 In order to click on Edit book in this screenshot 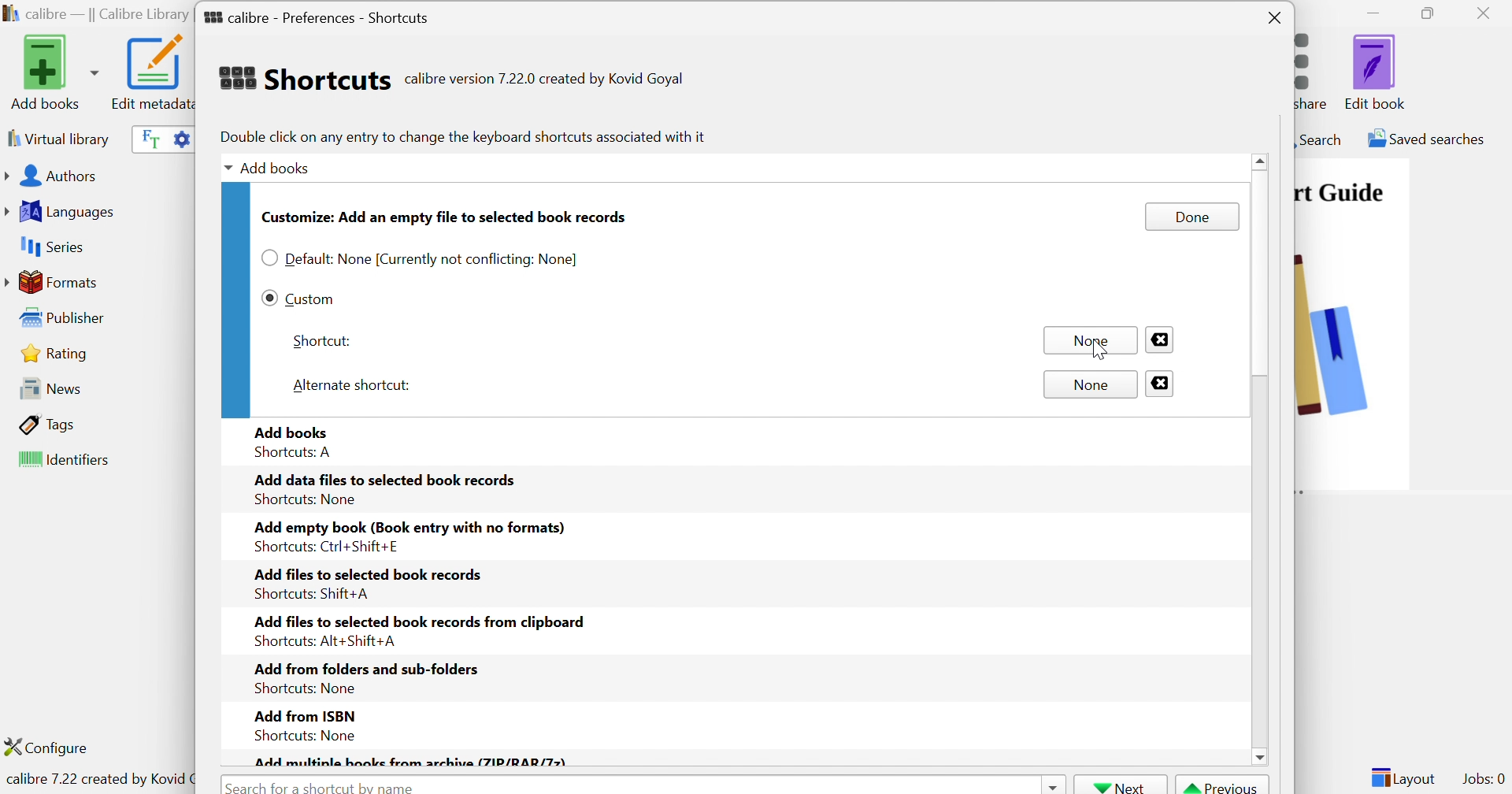, I will do `click(1376, 72)`.